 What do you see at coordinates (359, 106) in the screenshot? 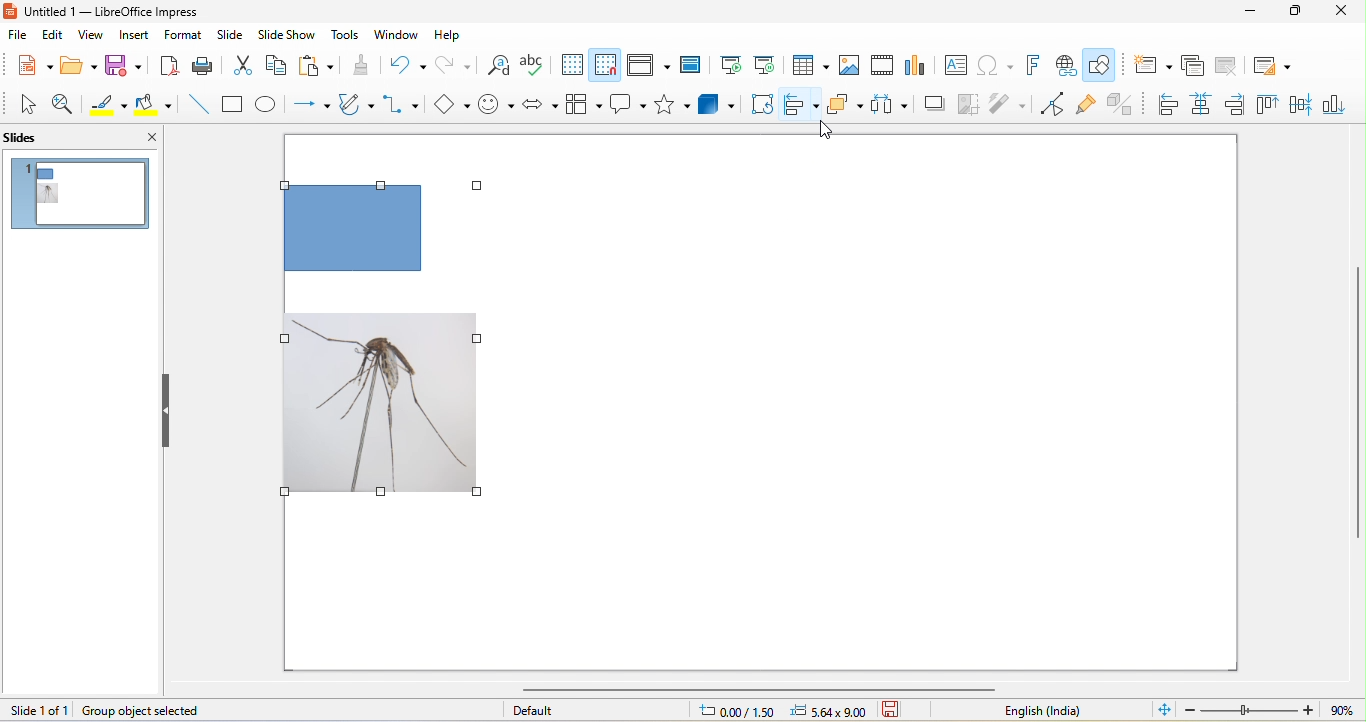
I see `curve and polygon` at bounding box center [359, 106].